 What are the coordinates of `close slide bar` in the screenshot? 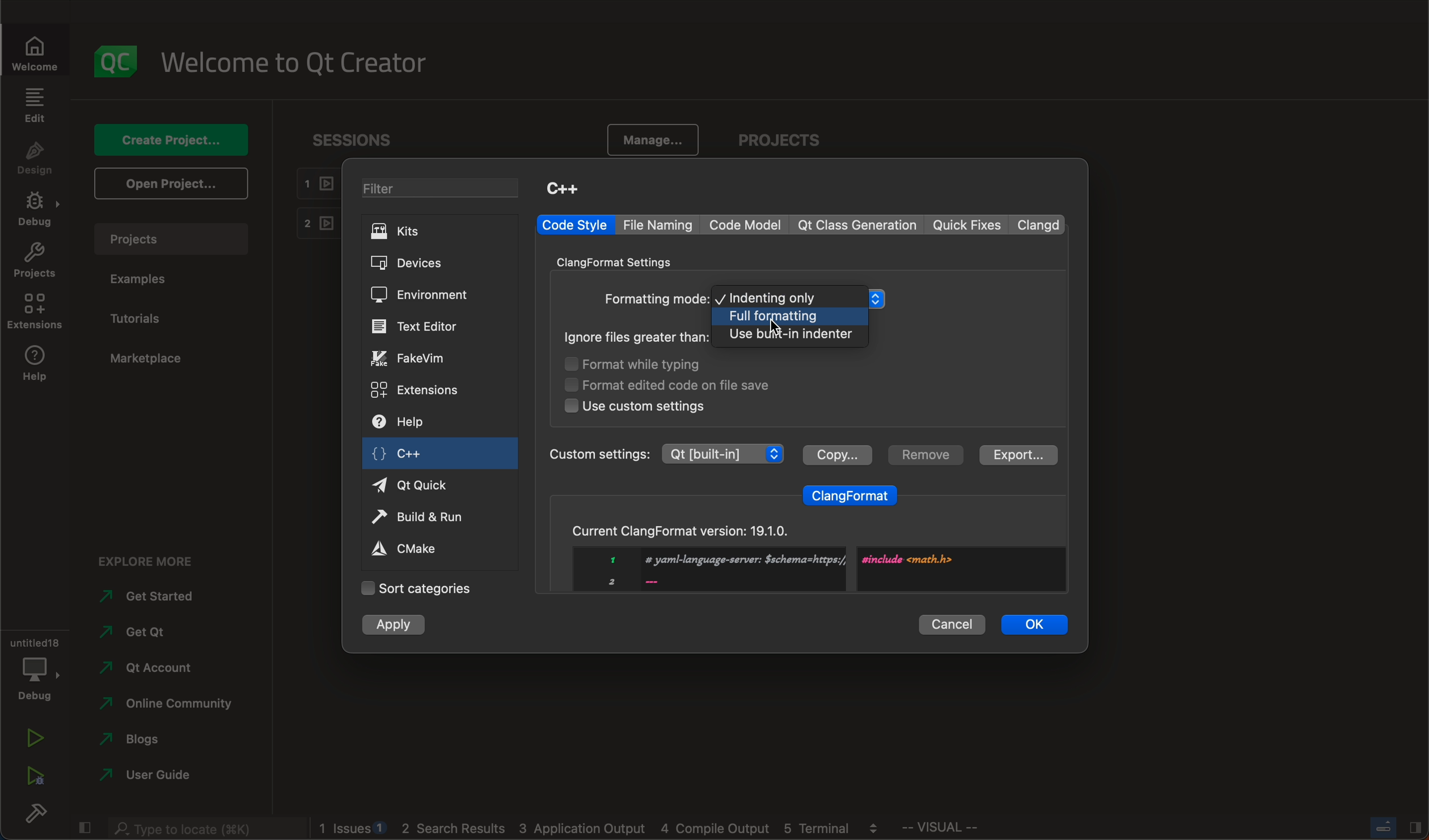 It's located at (1394, 827).